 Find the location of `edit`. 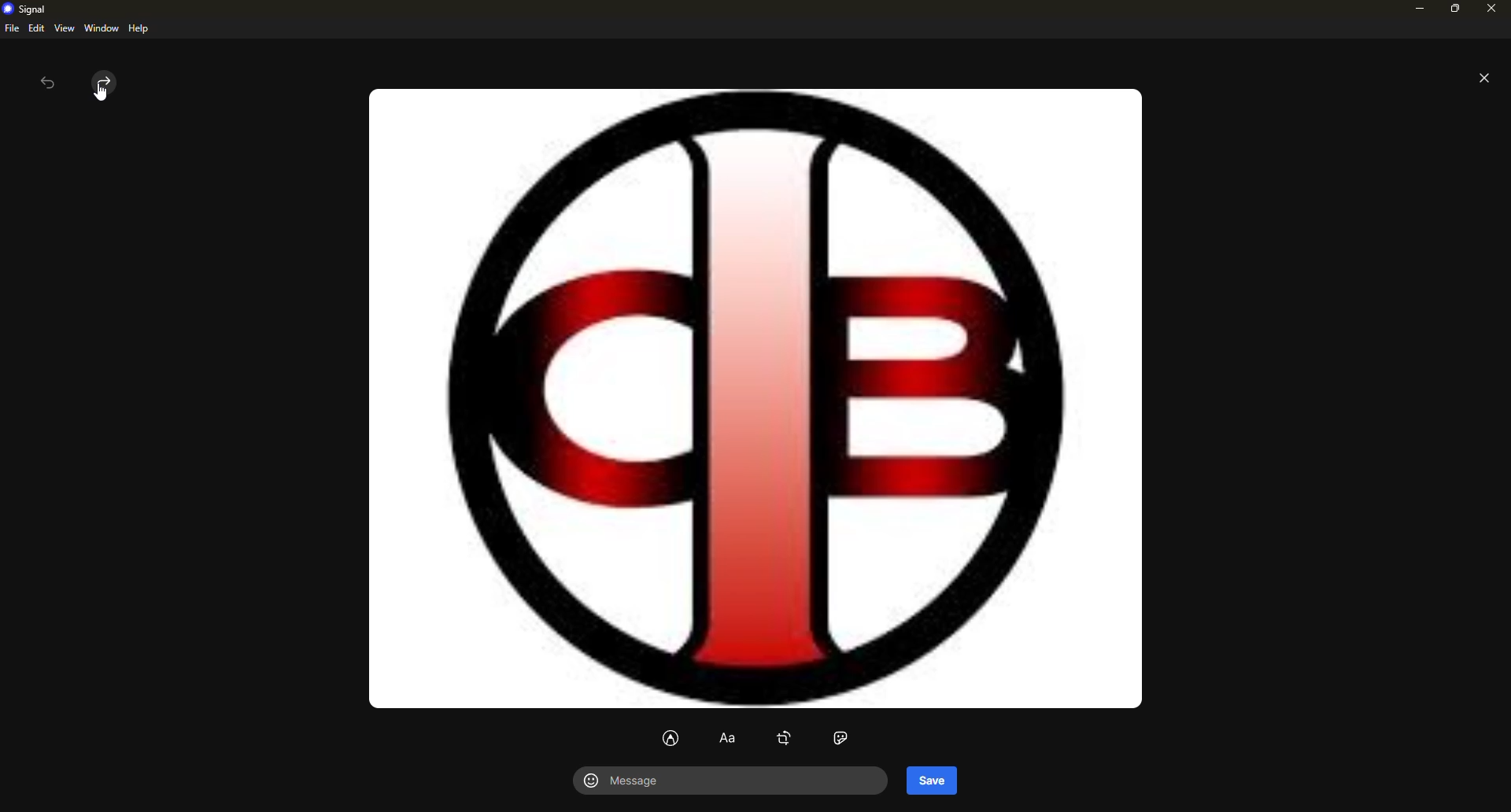

edit is located at coordinates (36, 28).